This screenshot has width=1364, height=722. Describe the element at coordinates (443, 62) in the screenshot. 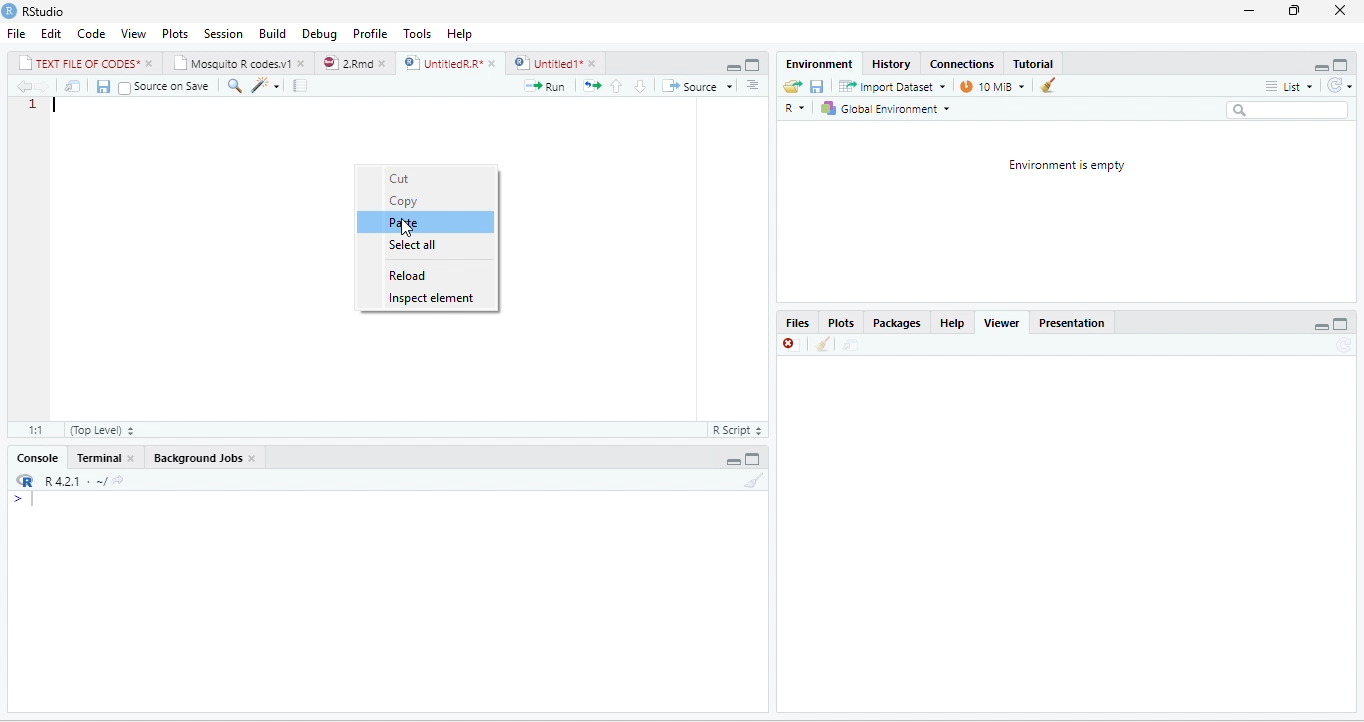

I see `UnttiedR A` at that location.